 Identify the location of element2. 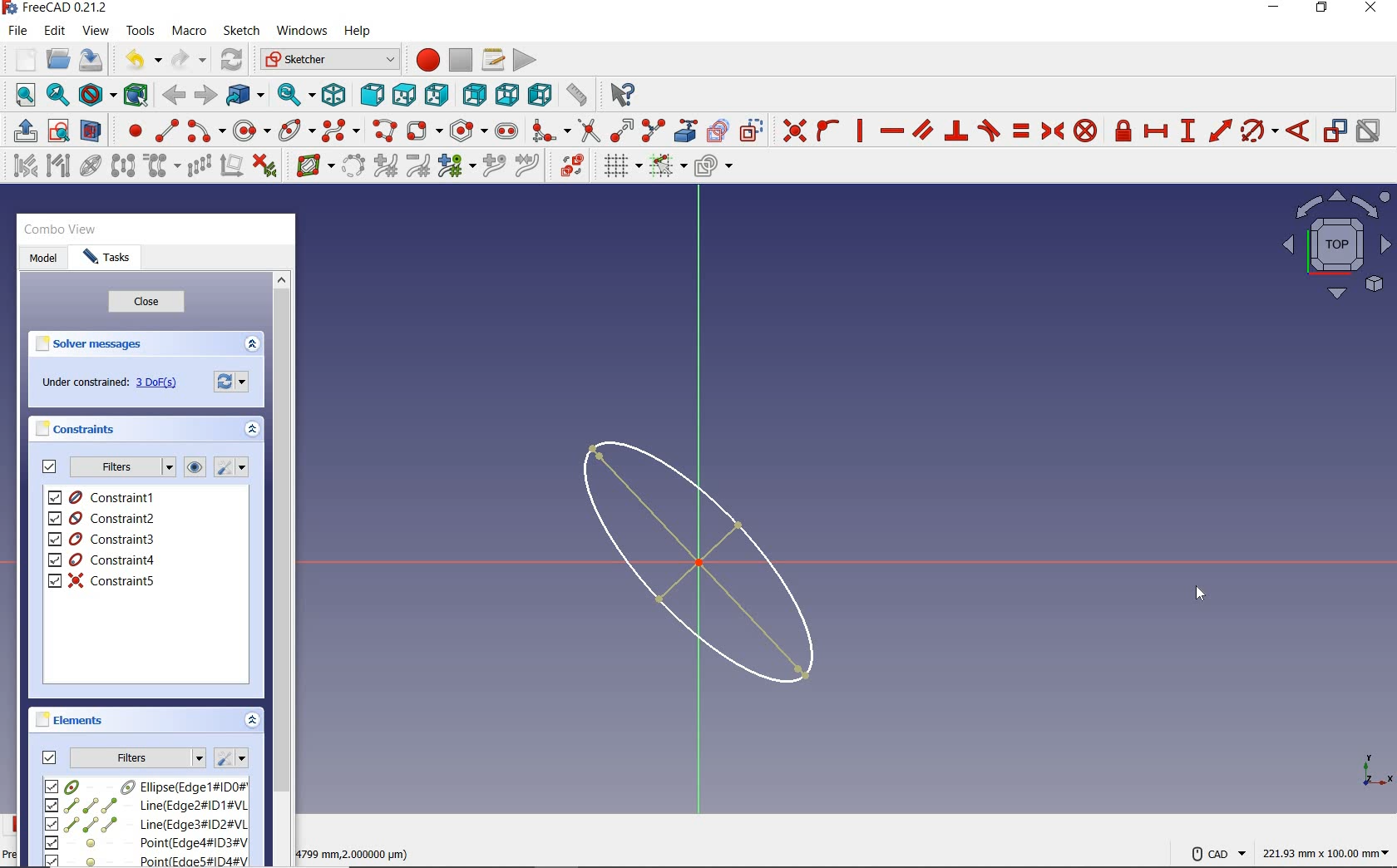
(146, 805).